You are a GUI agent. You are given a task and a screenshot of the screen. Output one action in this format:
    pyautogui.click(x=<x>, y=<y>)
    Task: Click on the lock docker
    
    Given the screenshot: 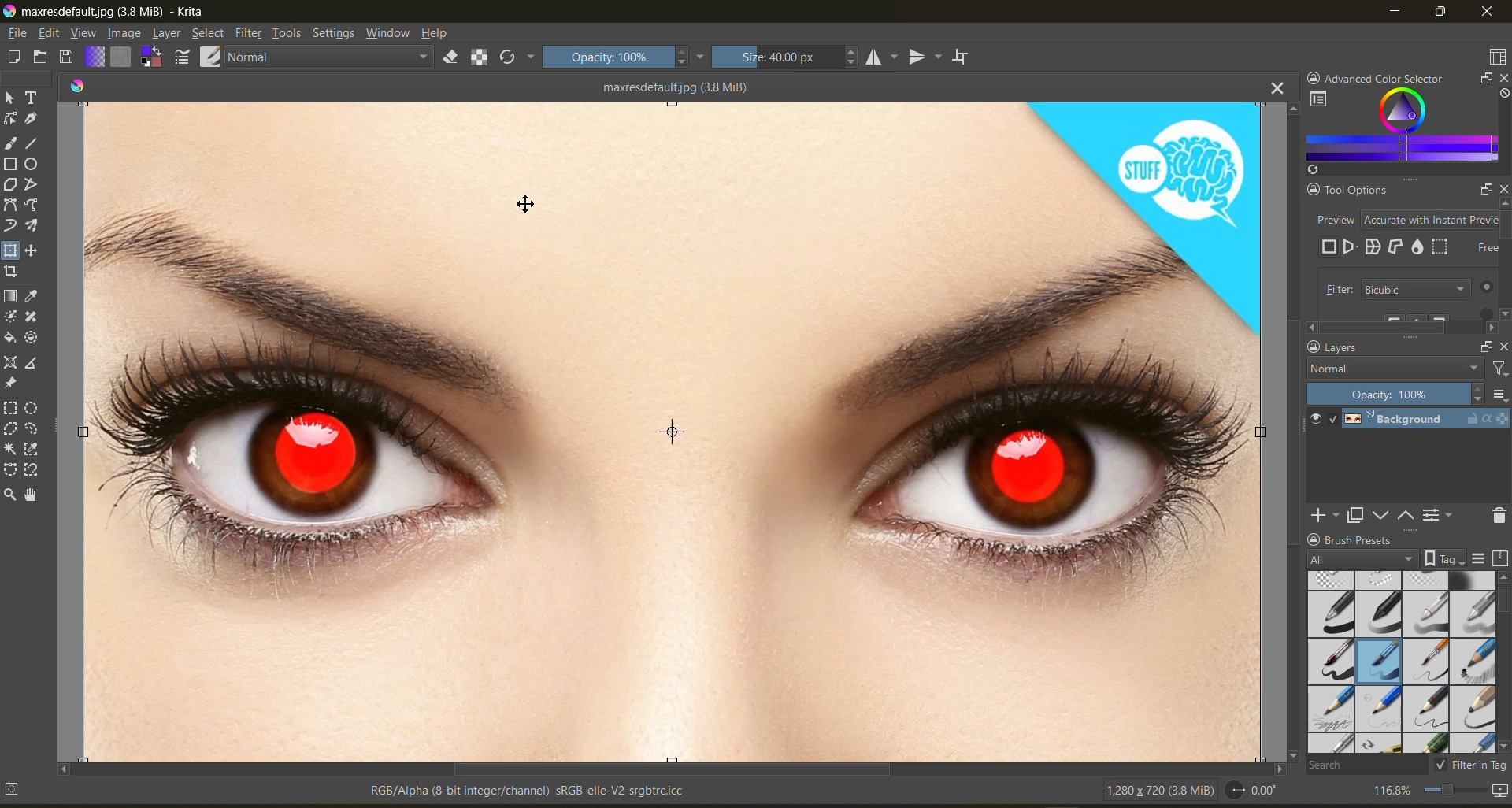 What is the action you would take?
    pyautogui.click(x=1312, y=347)
    